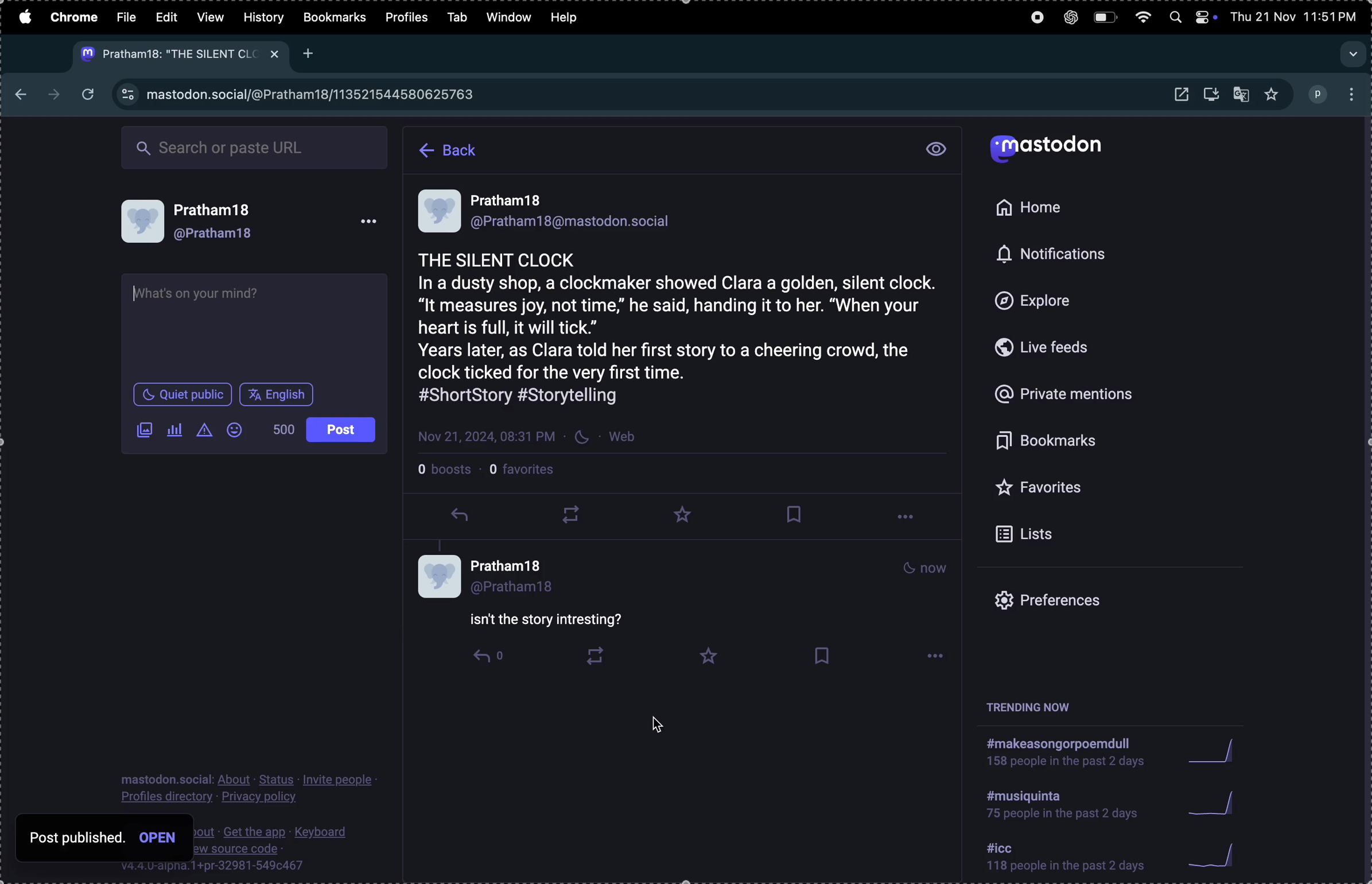  What do you see at coordinates (460, 519) in the screenshot?
I see `reply` at bounding box center [460, 519].